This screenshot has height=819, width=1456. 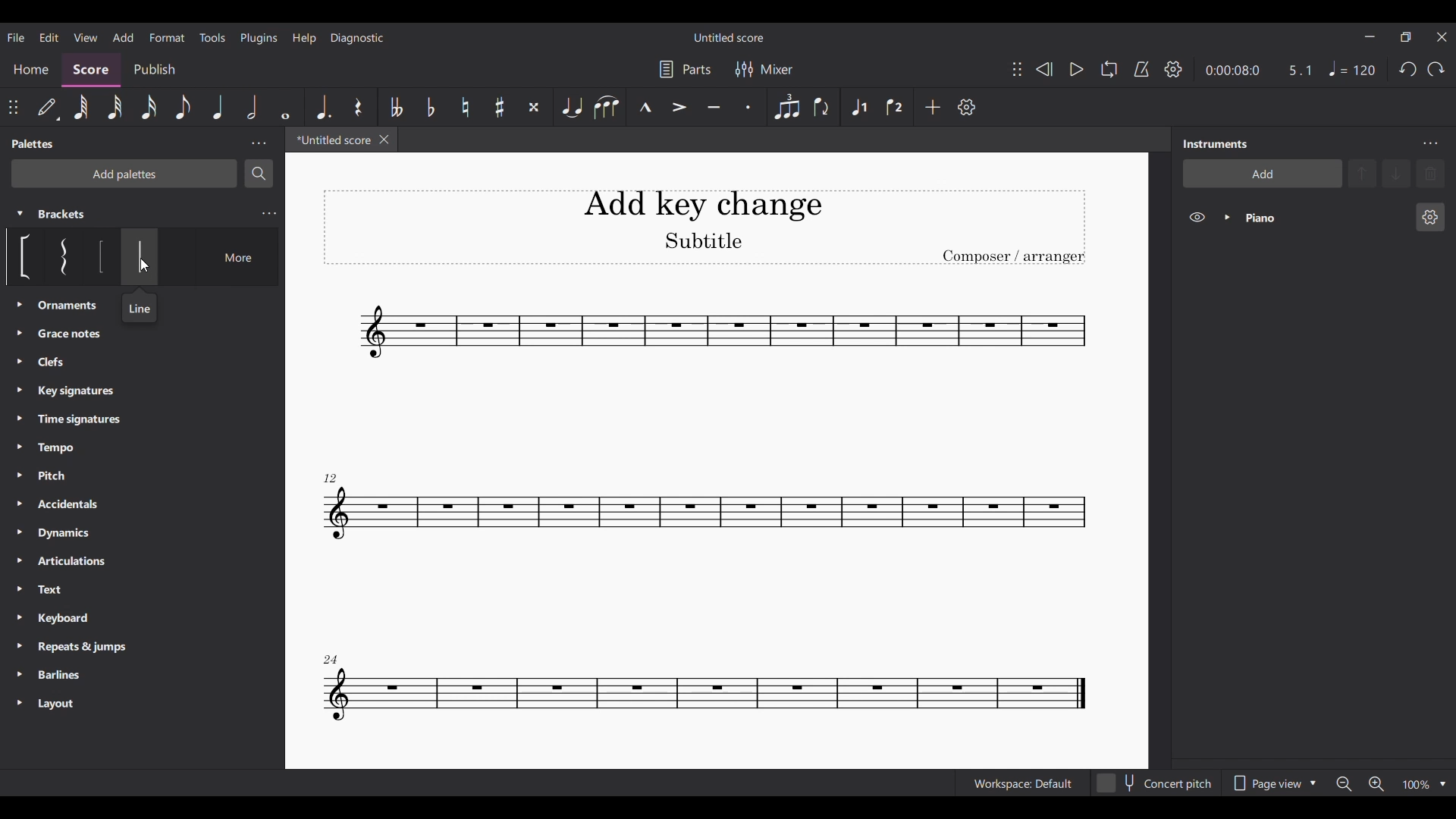 I want to click on Show interface in a smaller tab, so click(x=1406, y=37).